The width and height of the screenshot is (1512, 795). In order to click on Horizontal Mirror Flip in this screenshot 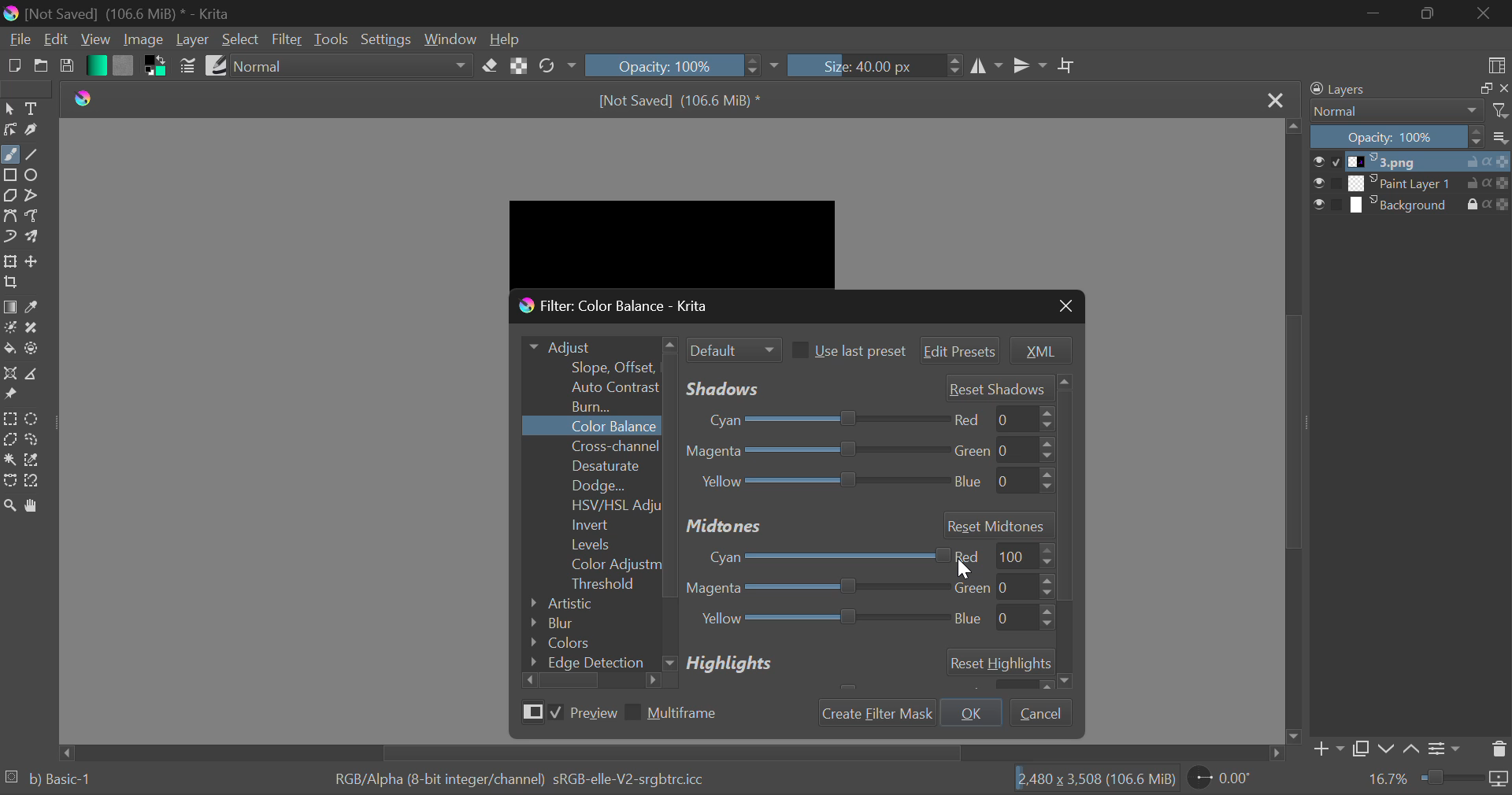, I will do `click(1030, 65)`.